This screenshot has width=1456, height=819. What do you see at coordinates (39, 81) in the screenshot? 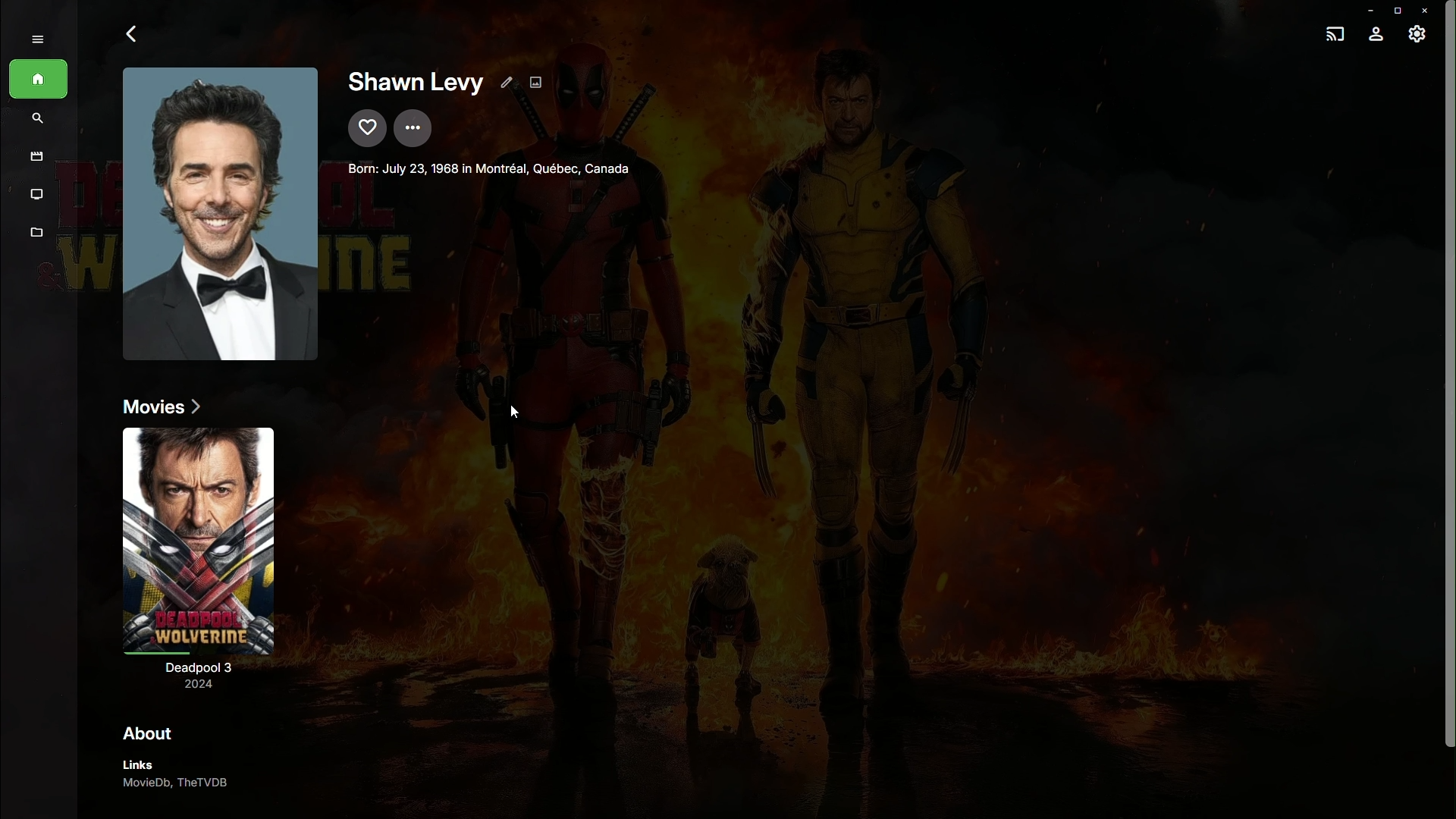
I see `Home` at bounding box center [39, 81].